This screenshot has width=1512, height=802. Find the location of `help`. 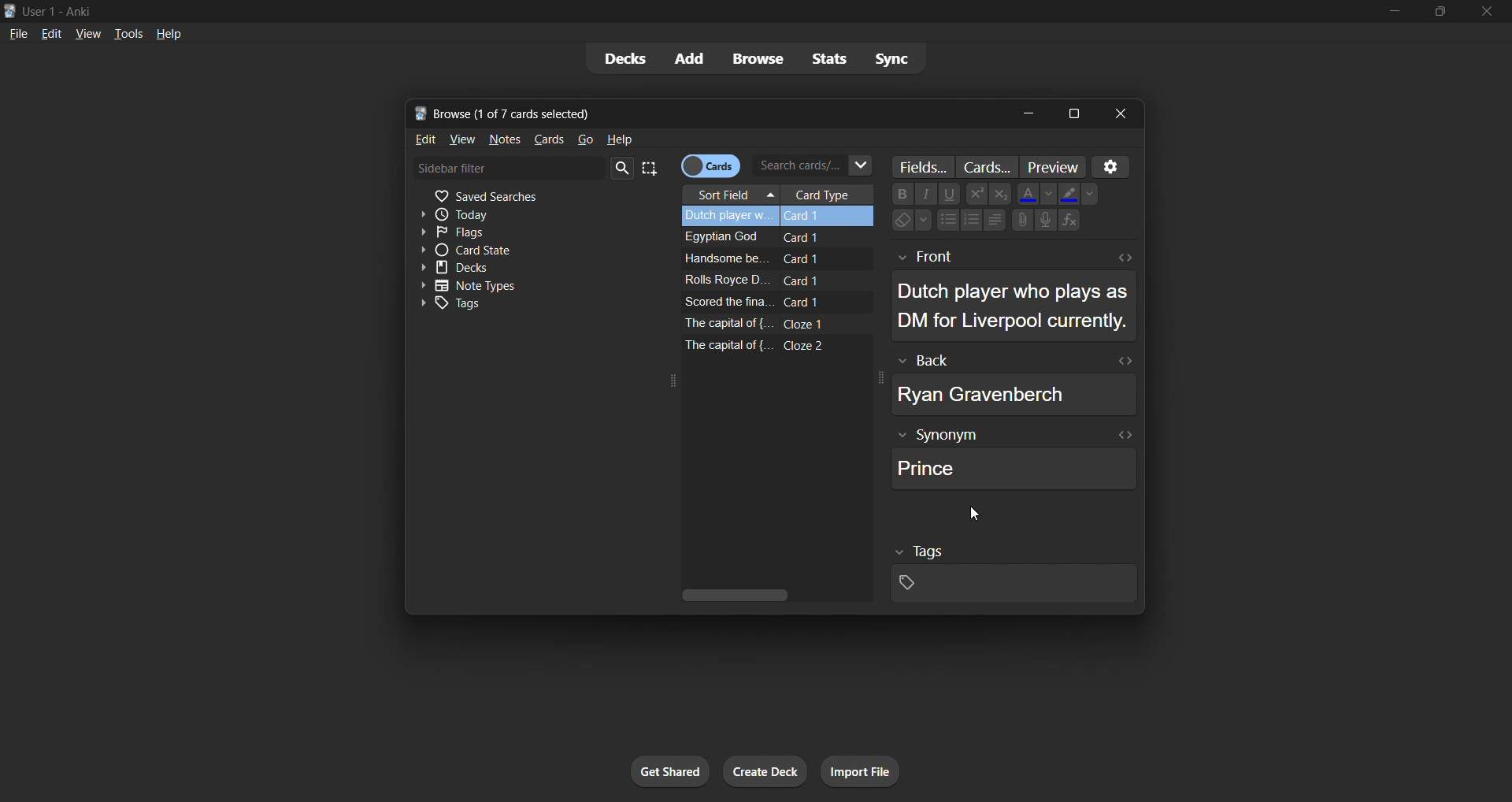

help is located at coordinates (624, 139).